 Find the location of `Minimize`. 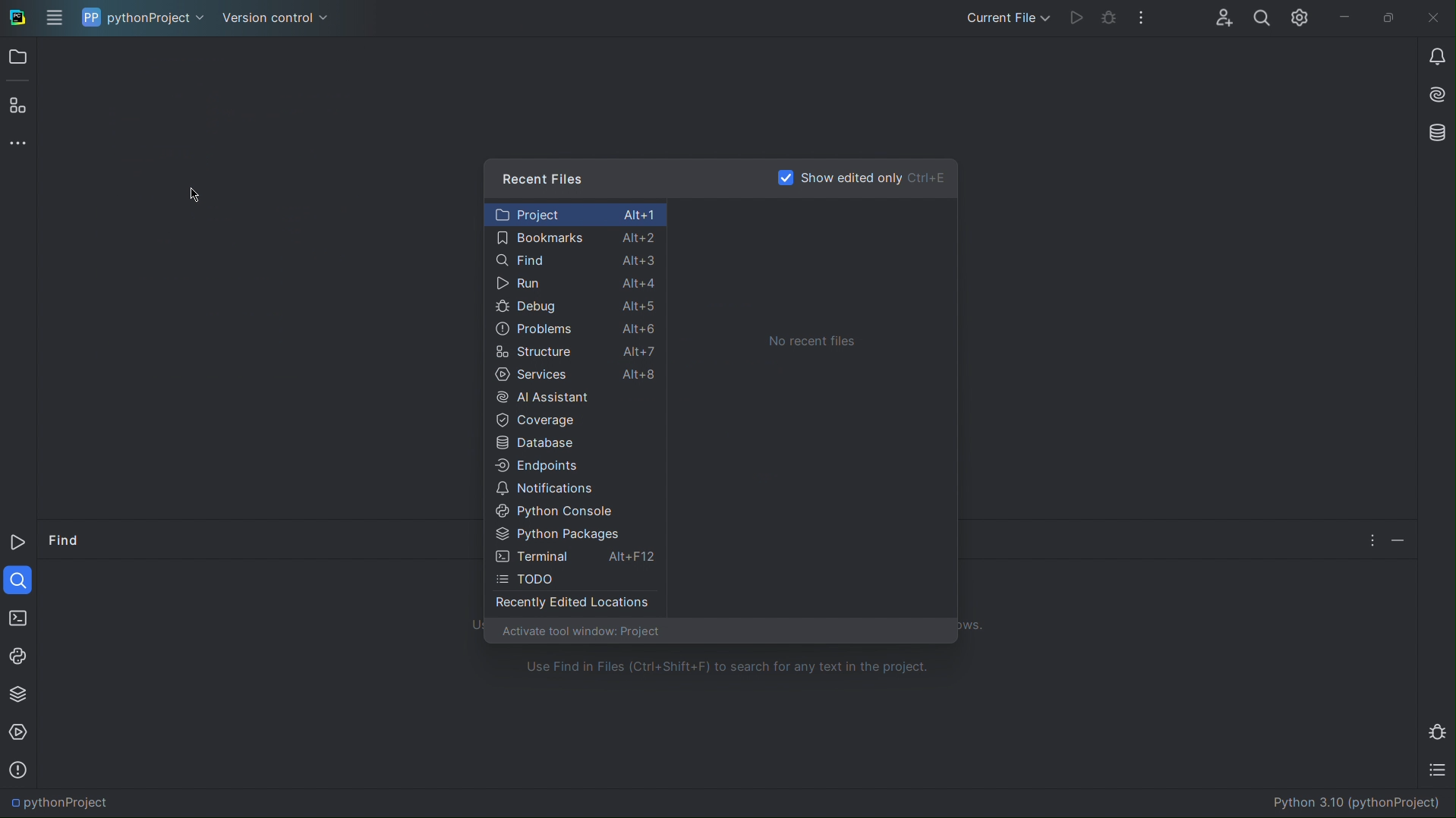

Minimize is located at coordinates (1399, 537).